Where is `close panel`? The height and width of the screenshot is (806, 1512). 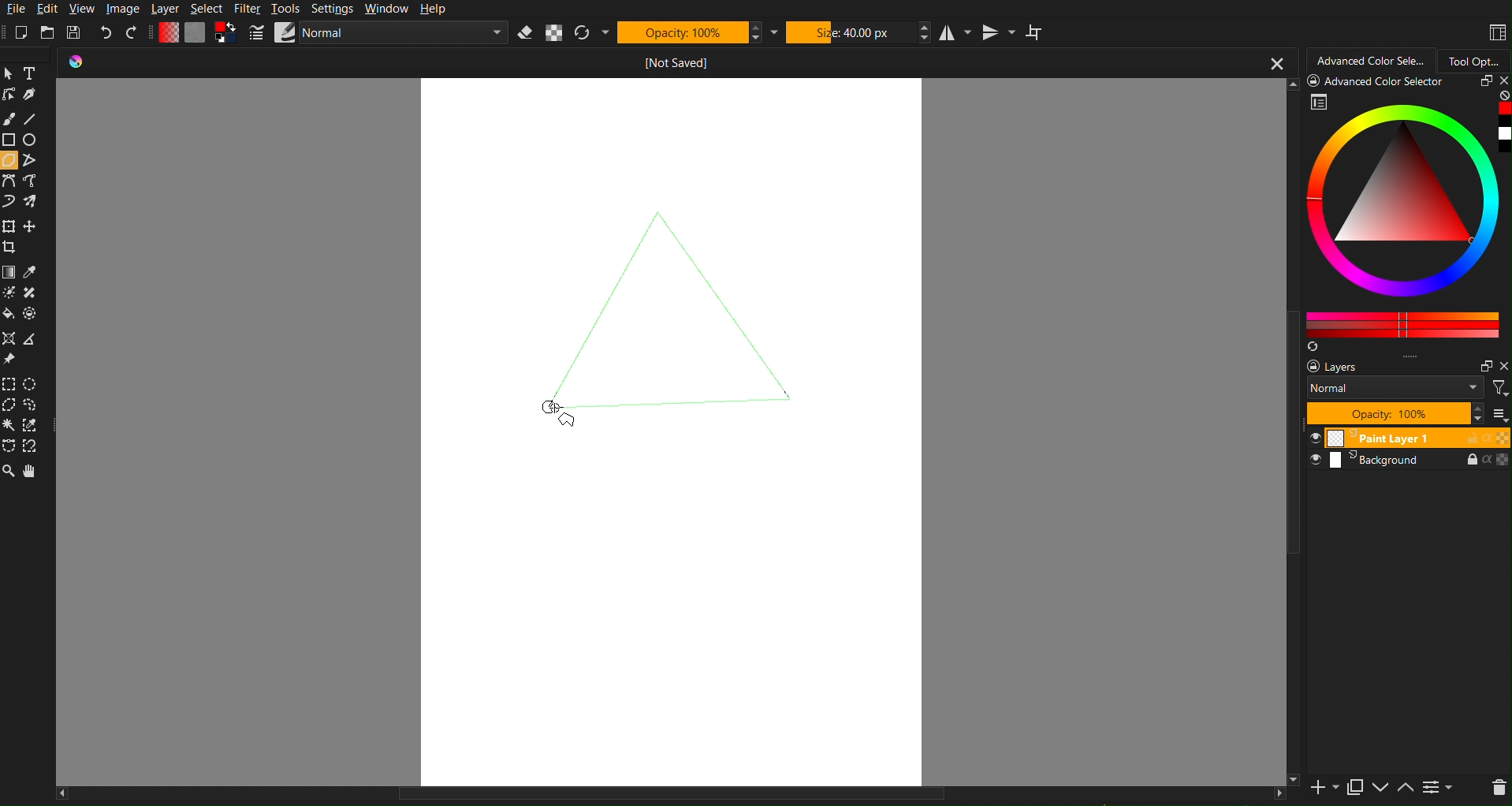
close panel is located at coordinates (1502, 82).